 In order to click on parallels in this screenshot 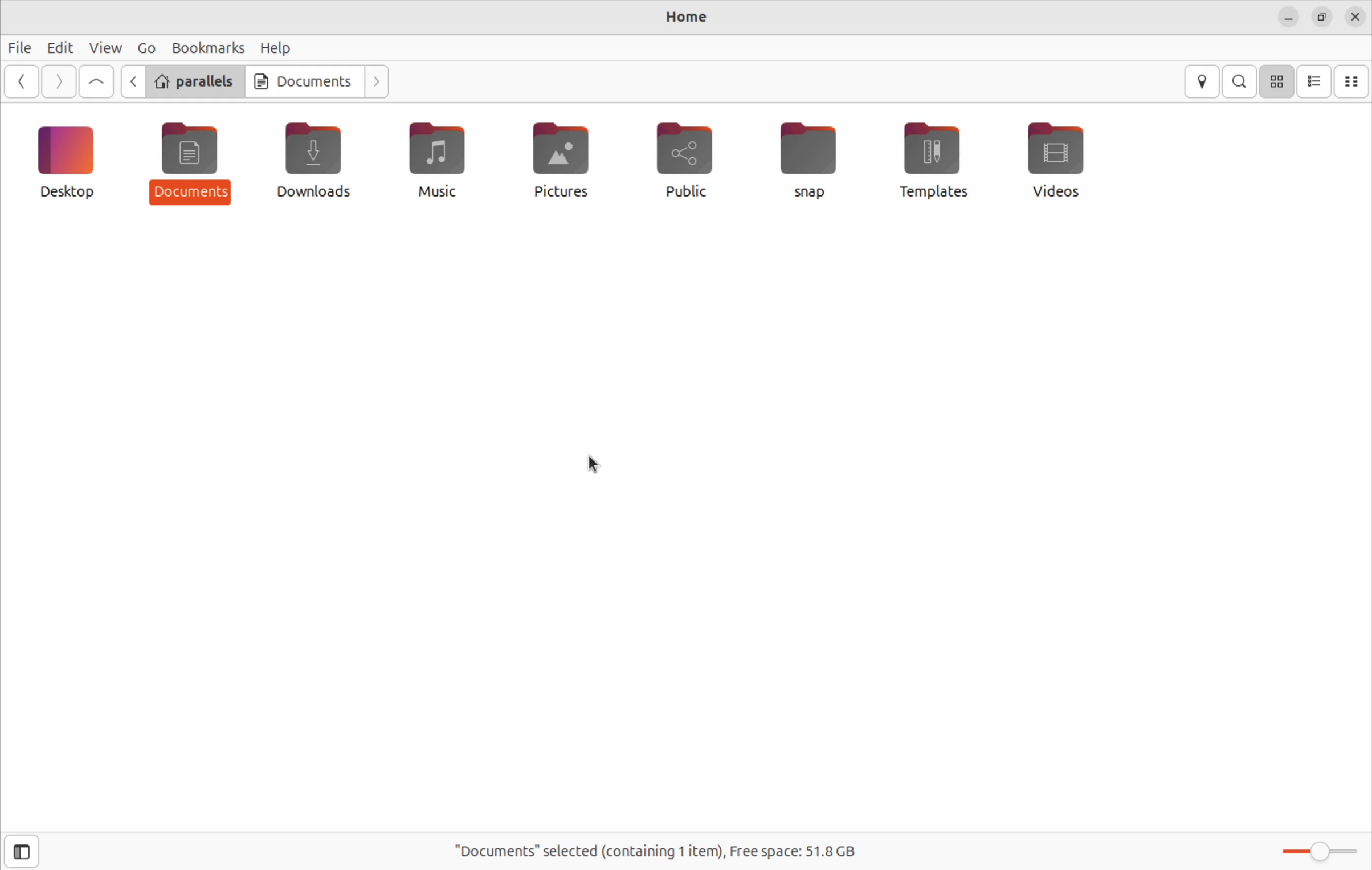, I will do `click(193, 80)`.